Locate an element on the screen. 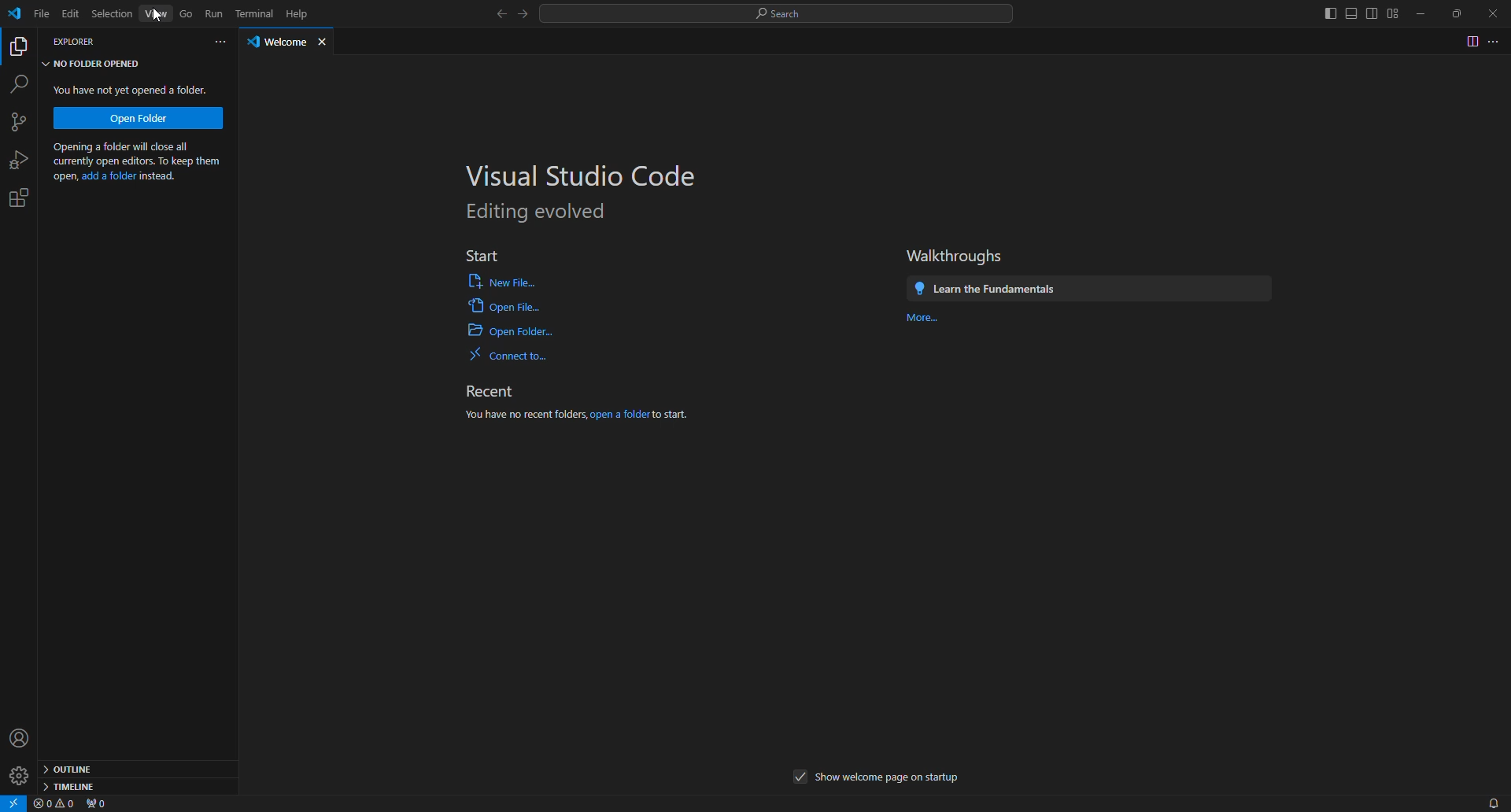  minimize is located at coordinates (1424, 15).